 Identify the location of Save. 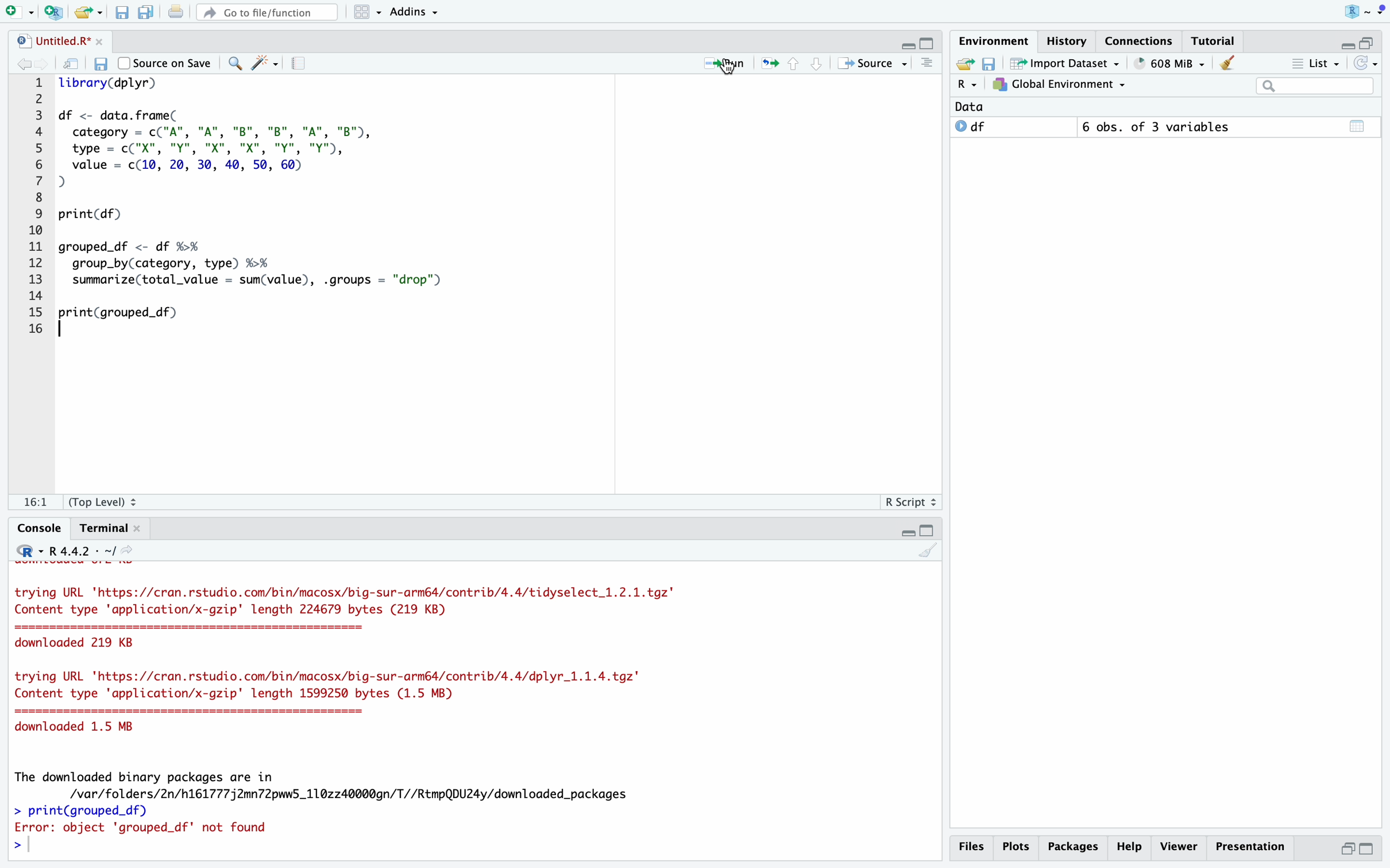
(993, 63).